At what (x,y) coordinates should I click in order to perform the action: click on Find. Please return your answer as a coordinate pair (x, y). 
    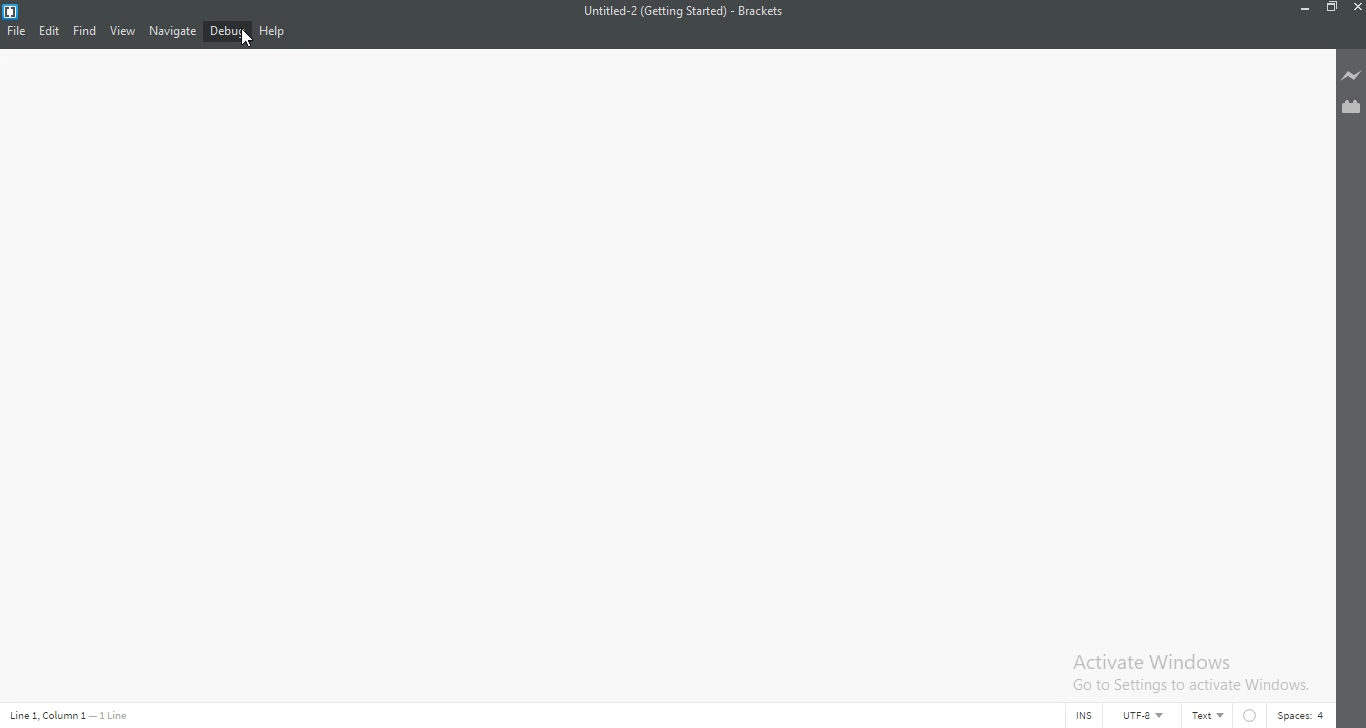
    Looking at the image, I should click on (84, 31).